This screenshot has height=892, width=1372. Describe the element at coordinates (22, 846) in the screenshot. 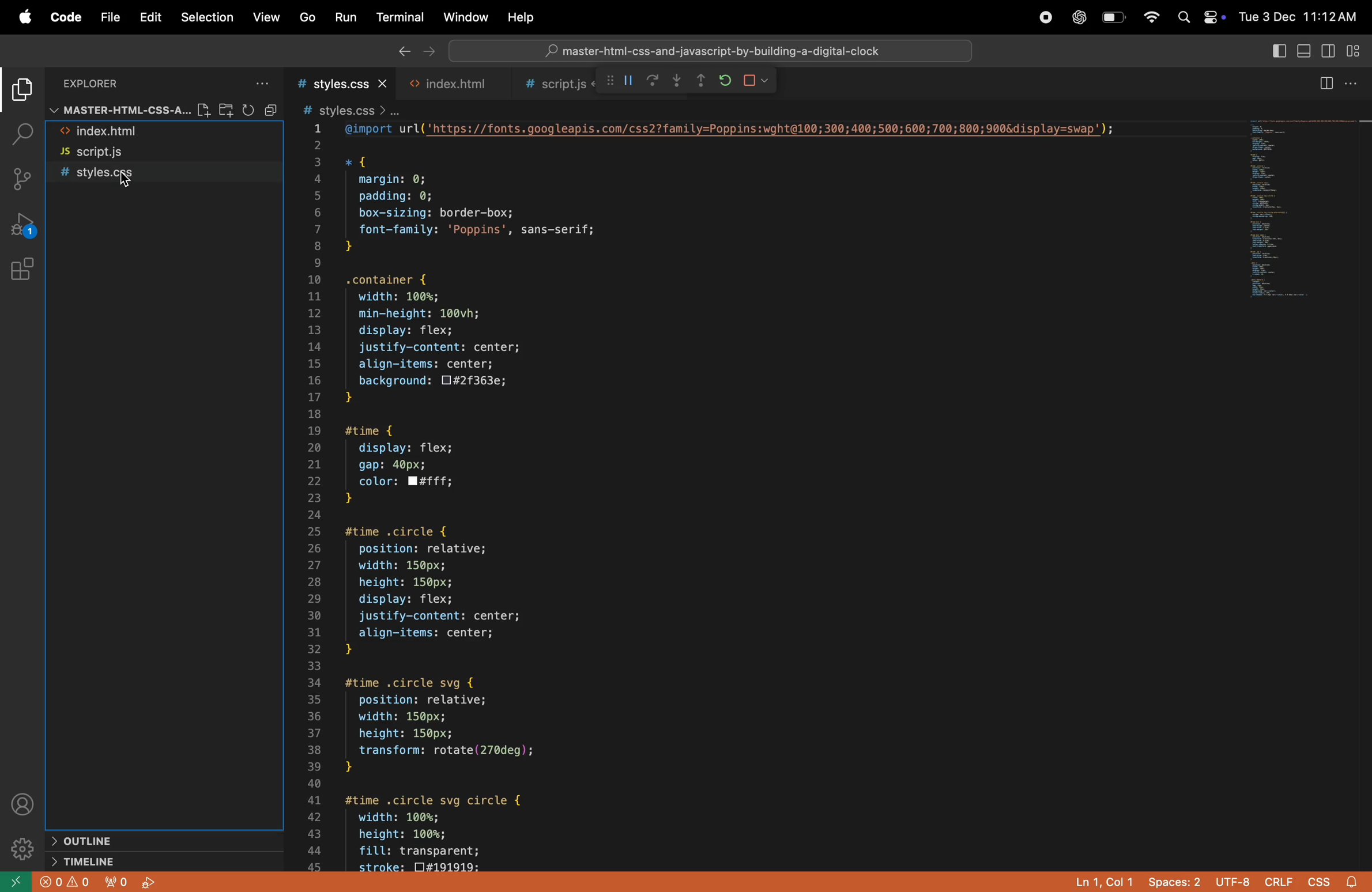

I see `settings` at that location.